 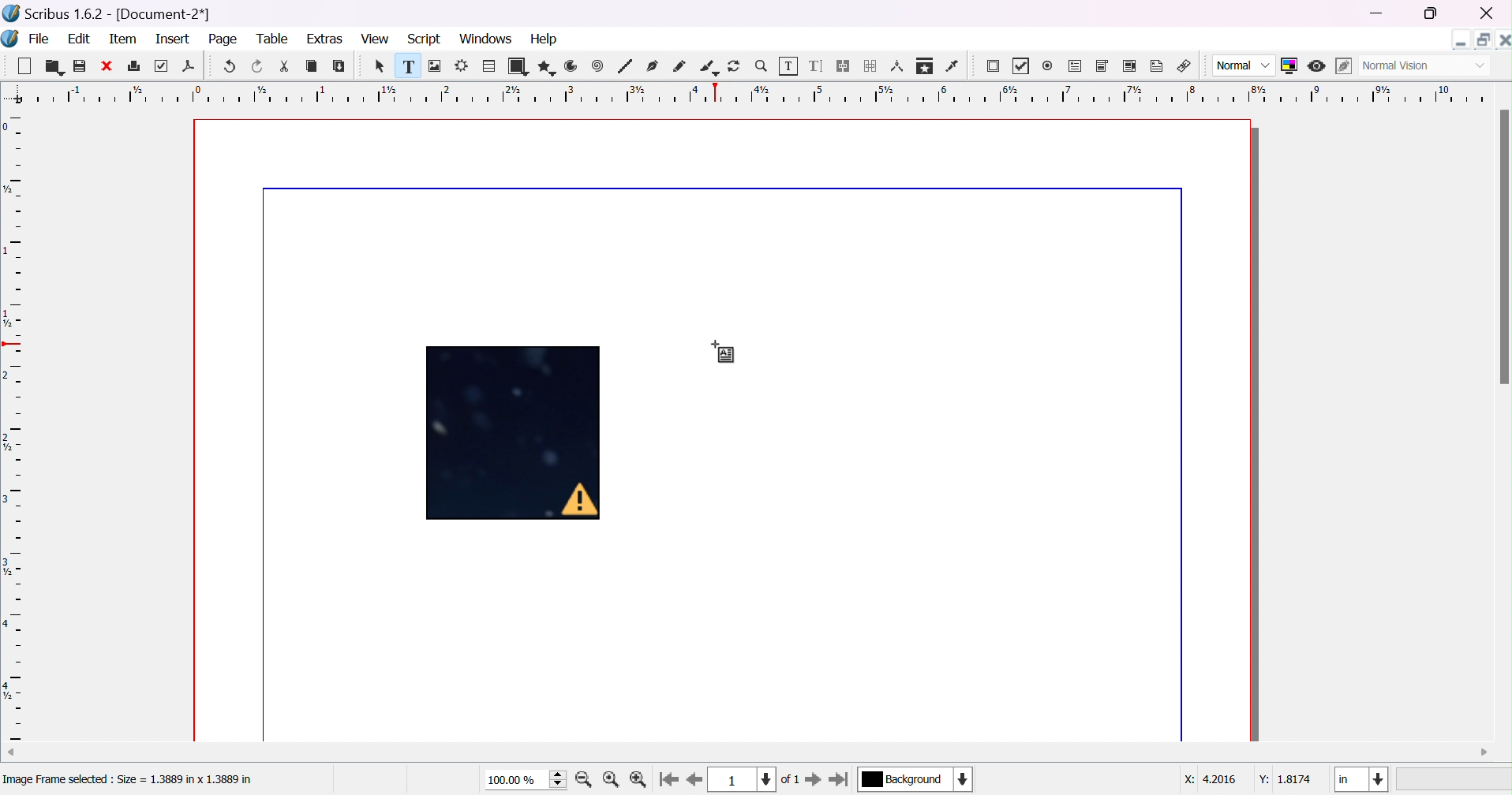 What do you see at coordinates (1244, 66) in the screenshot?
I see `normal` at bounding box center [1244, 66].